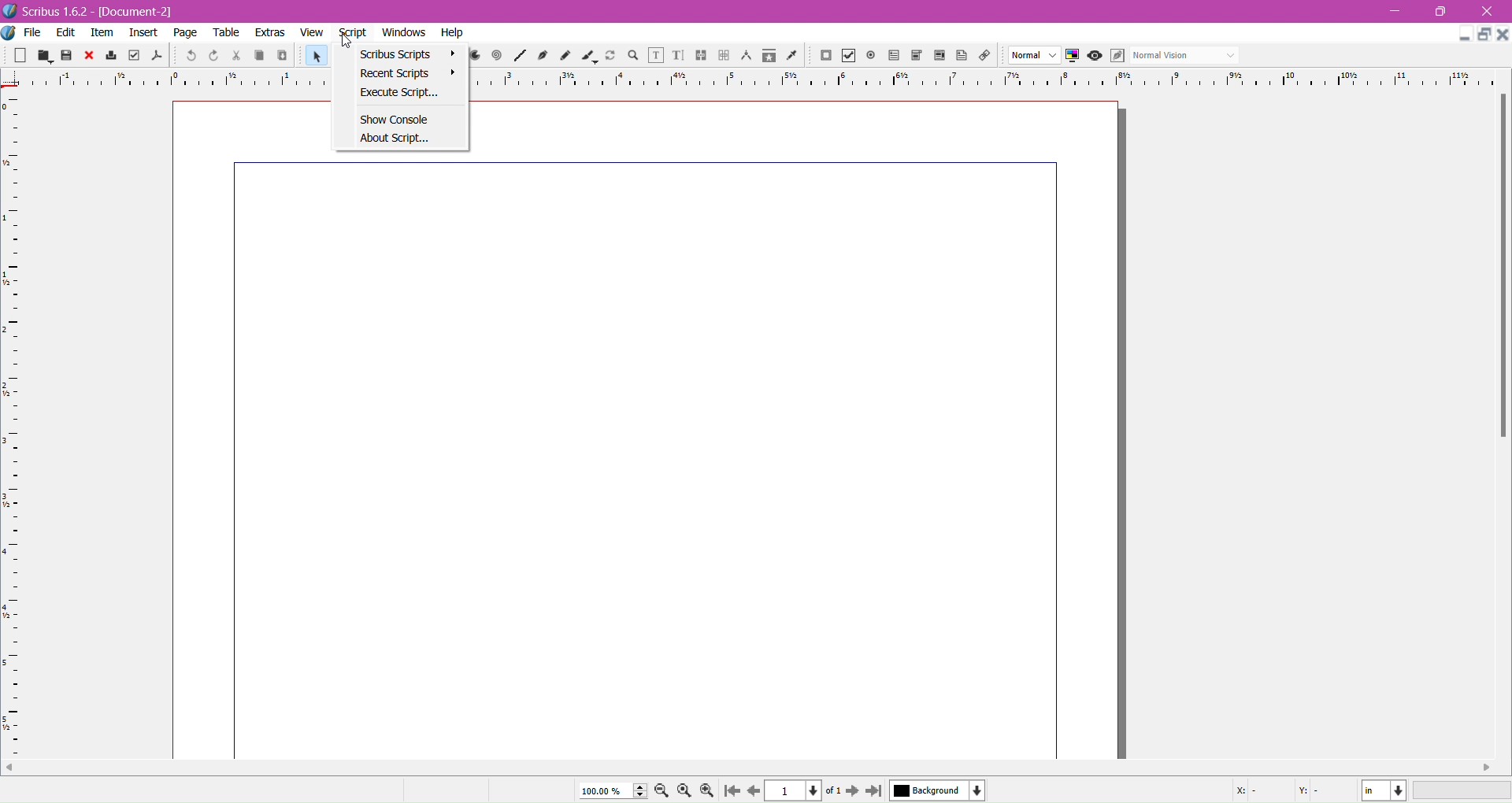 Image resolution: width=1512 pixels, height=803 pixels. What do you see at coordinates (756, 768) in the screenshot?
I see `Horizontal Scroll Bar` at bounding box center [756, 768].